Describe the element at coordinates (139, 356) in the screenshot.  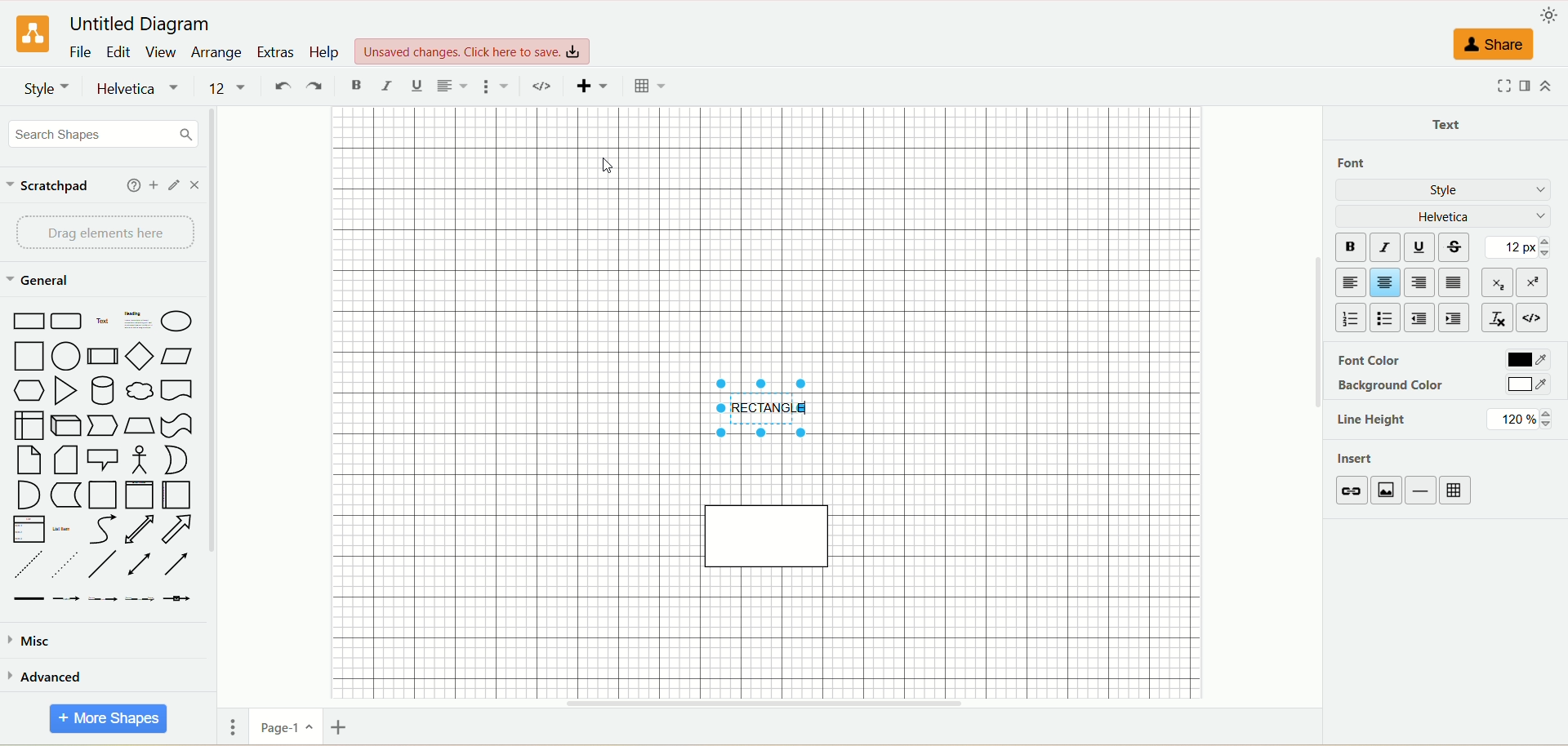
I see `diamond` at that location.